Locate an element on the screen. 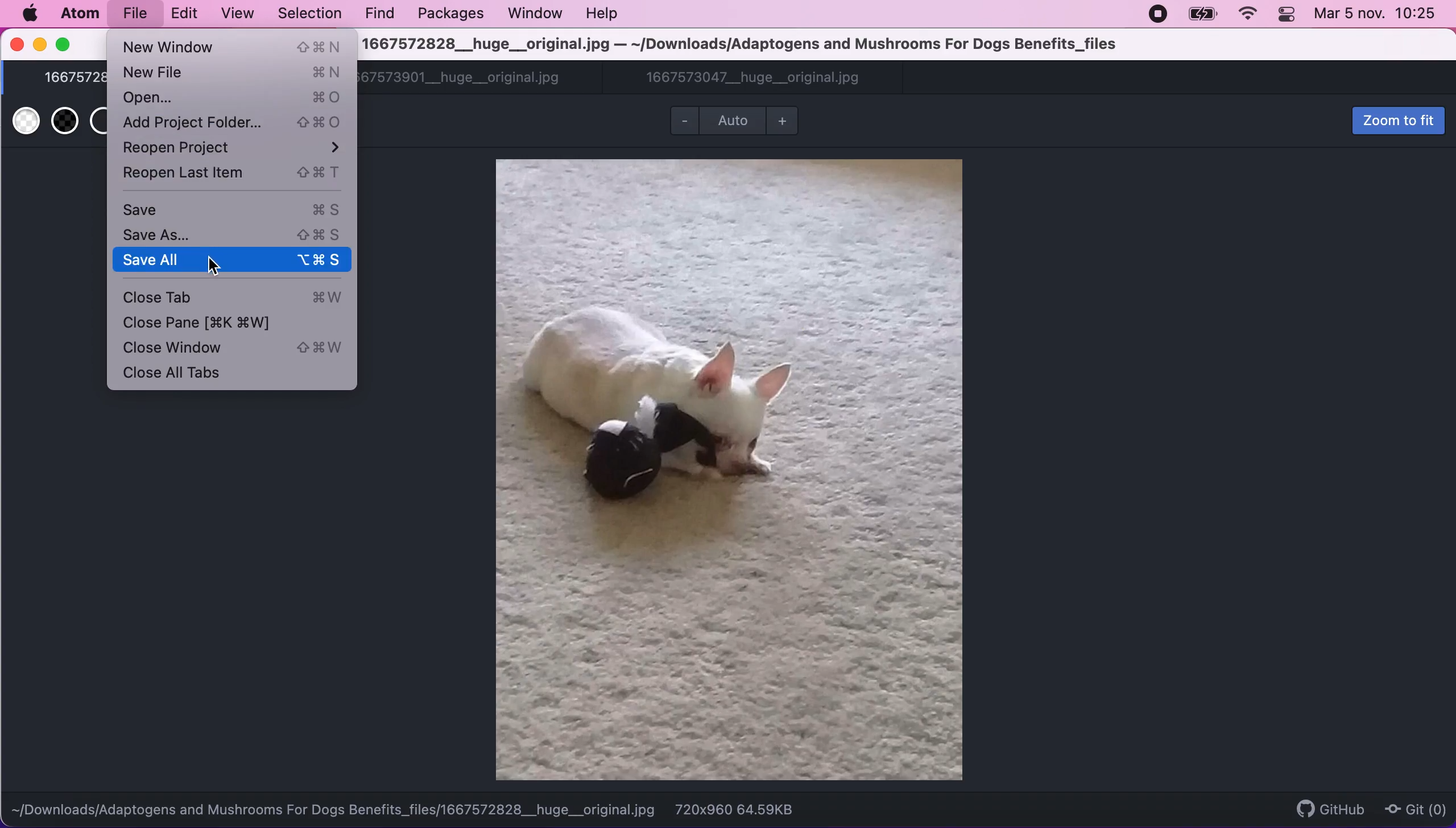 The image size is (1456, 828). use white transparent background is located at coordinates (24, 124).